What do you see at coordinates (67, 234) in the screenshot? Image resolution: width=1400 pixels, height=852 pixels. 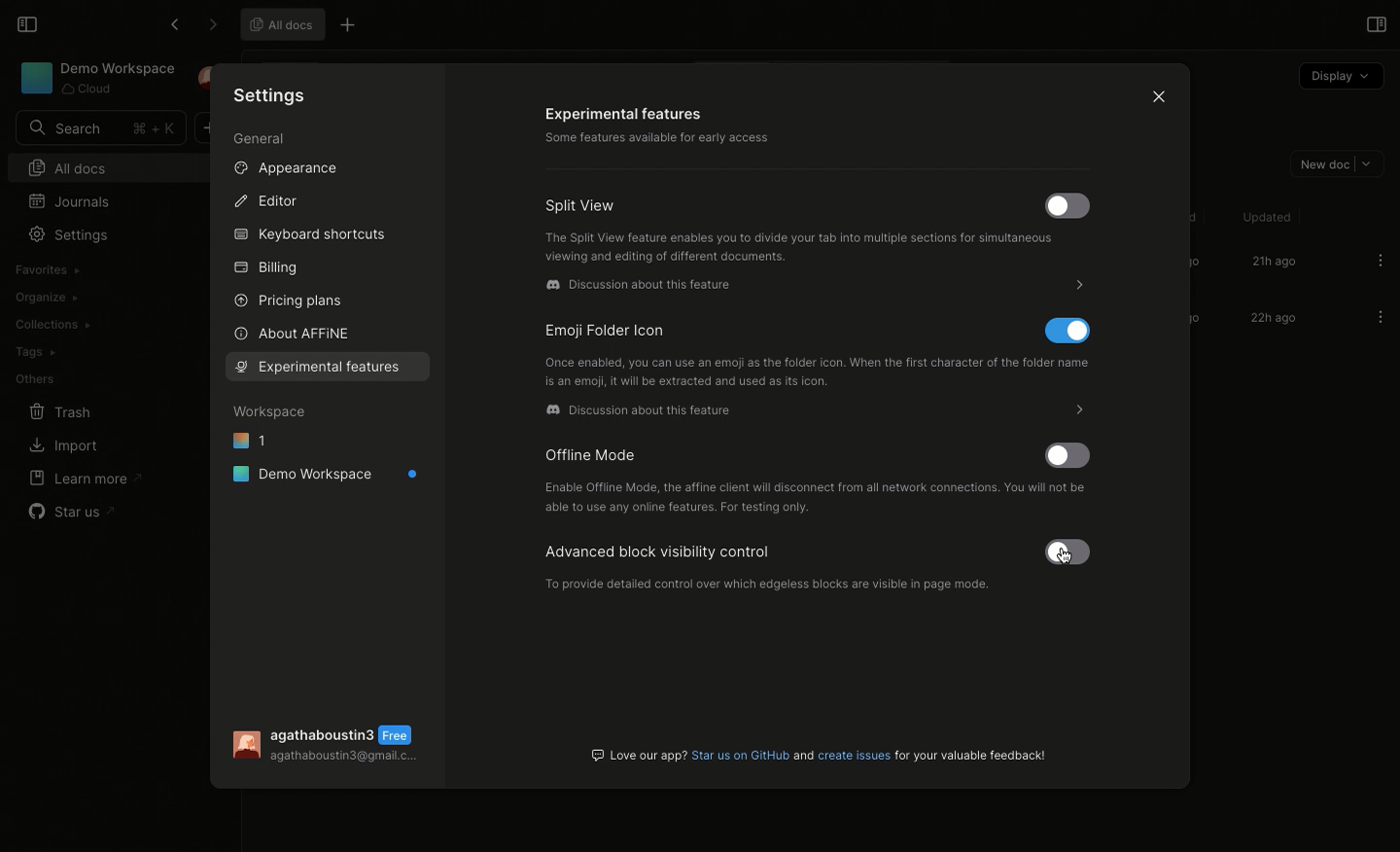 I see `Settings` at bounding box center [67, 234].